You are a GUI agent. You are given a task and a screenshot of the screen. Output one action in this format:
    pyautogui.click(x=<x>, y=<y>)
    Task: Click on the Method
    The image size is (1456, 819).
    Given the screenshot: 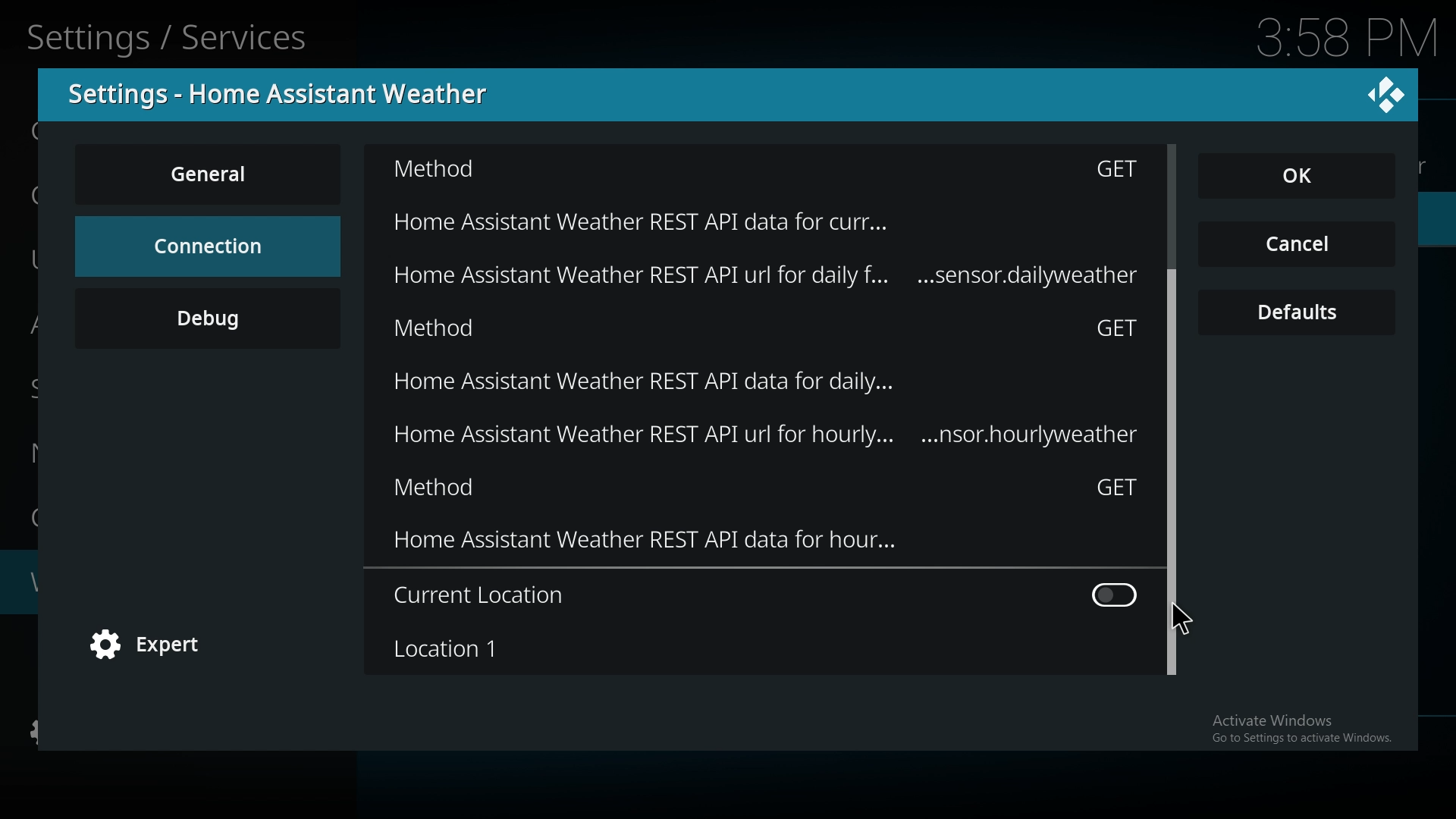 What is the action you would take?
    pyautogui.click(x=761, y=172)
    